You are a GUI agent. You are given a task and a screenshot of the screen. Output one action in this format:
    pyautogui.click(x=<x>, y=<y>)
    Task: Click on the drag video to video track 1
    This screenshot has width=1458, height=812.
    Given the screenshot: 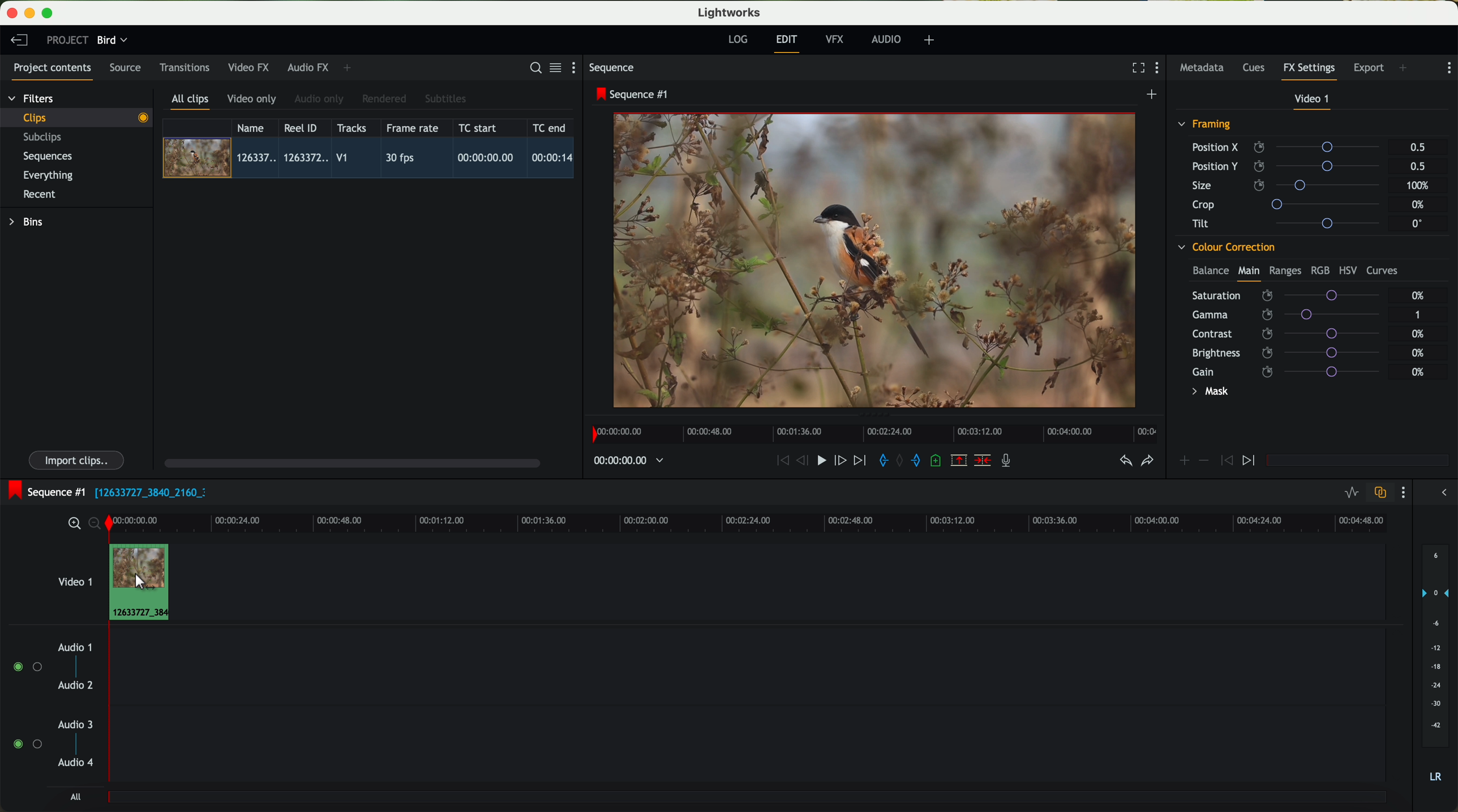 What is the action you would take?
    pyautogui.click(x=148, y=578)
    